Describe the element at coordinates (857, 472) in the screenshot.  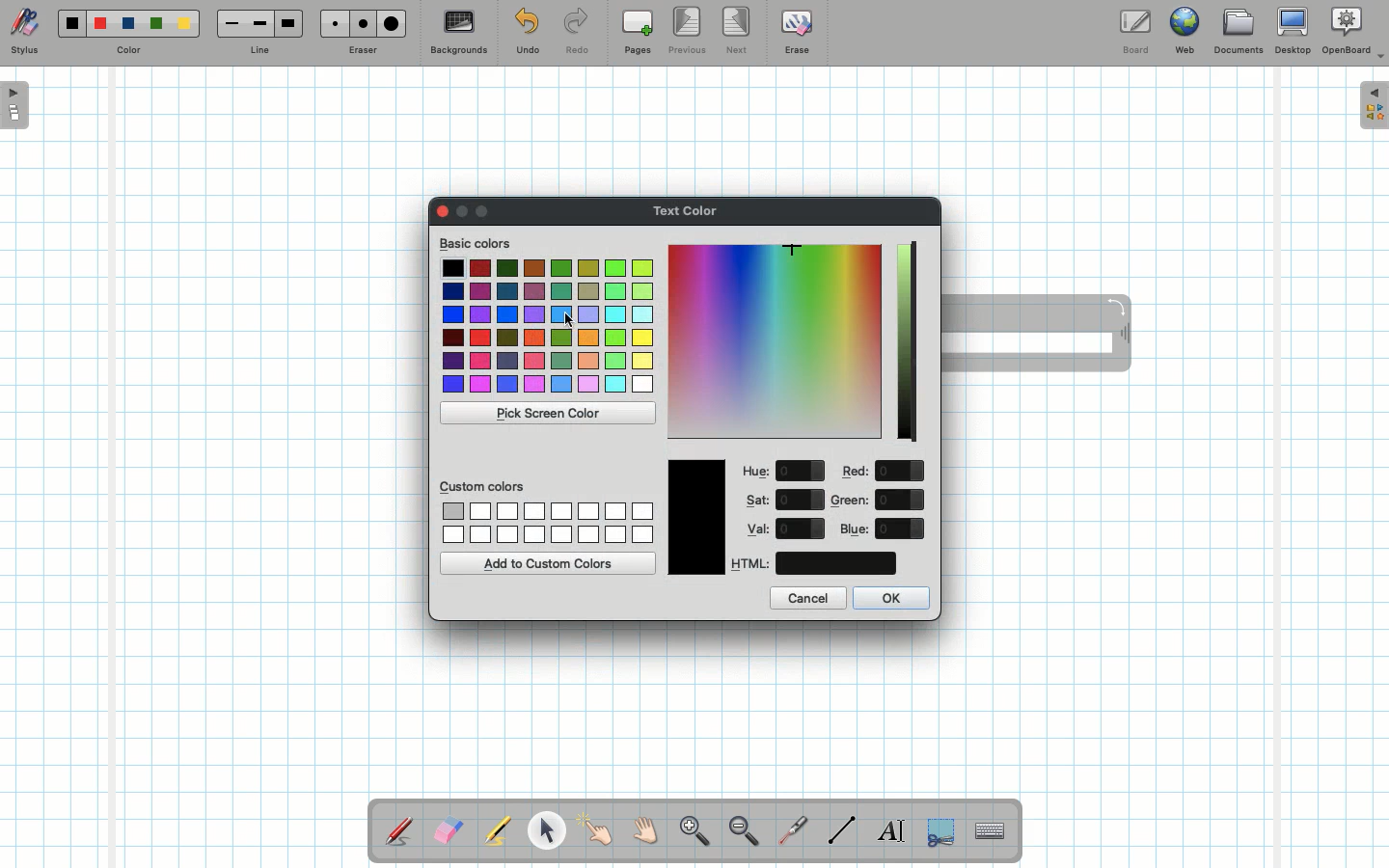
I see `Red` at that location.